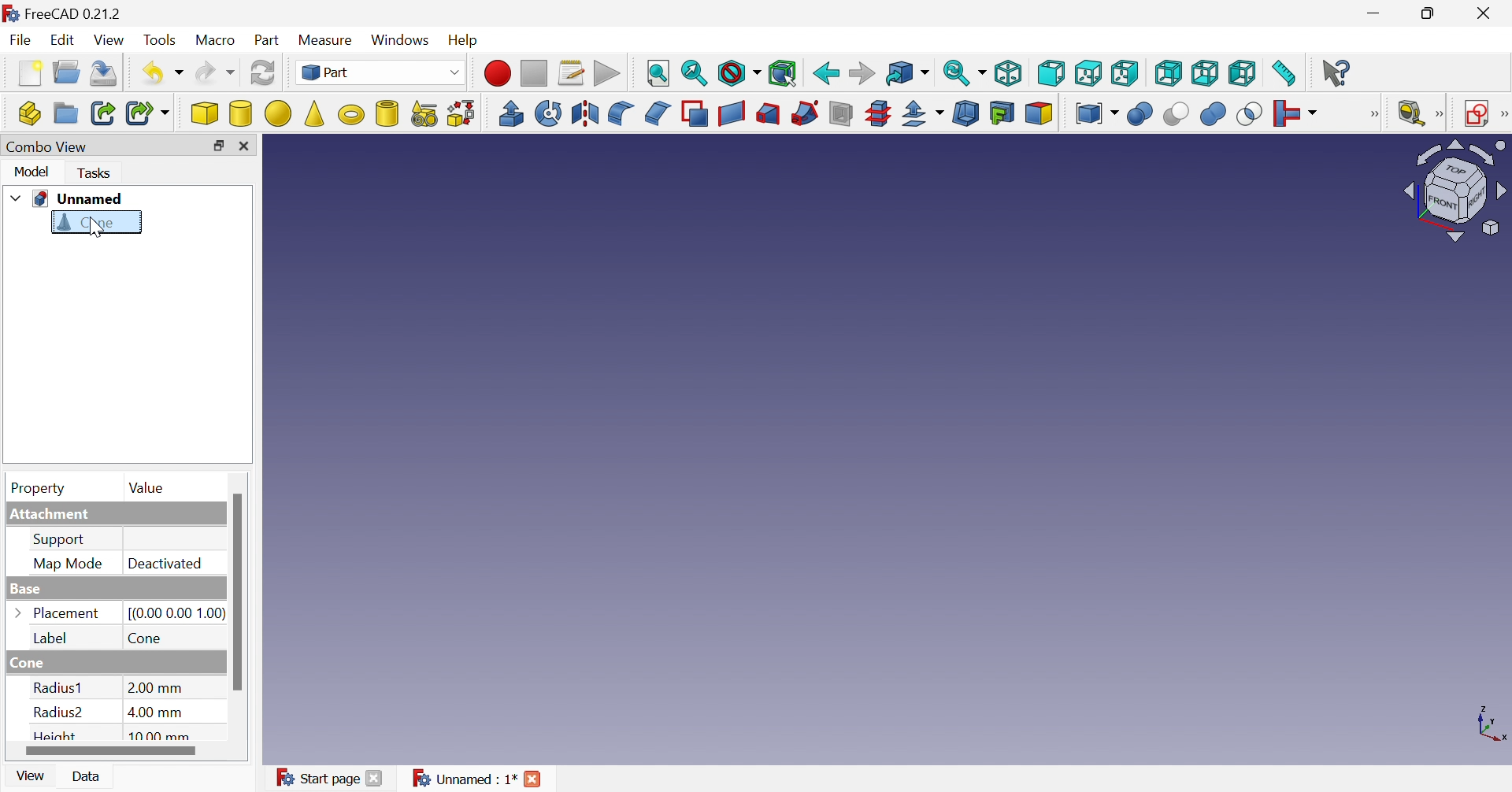 The height and width of the screenshot is (792, 1512). I want to click on View, so click(30, 779).